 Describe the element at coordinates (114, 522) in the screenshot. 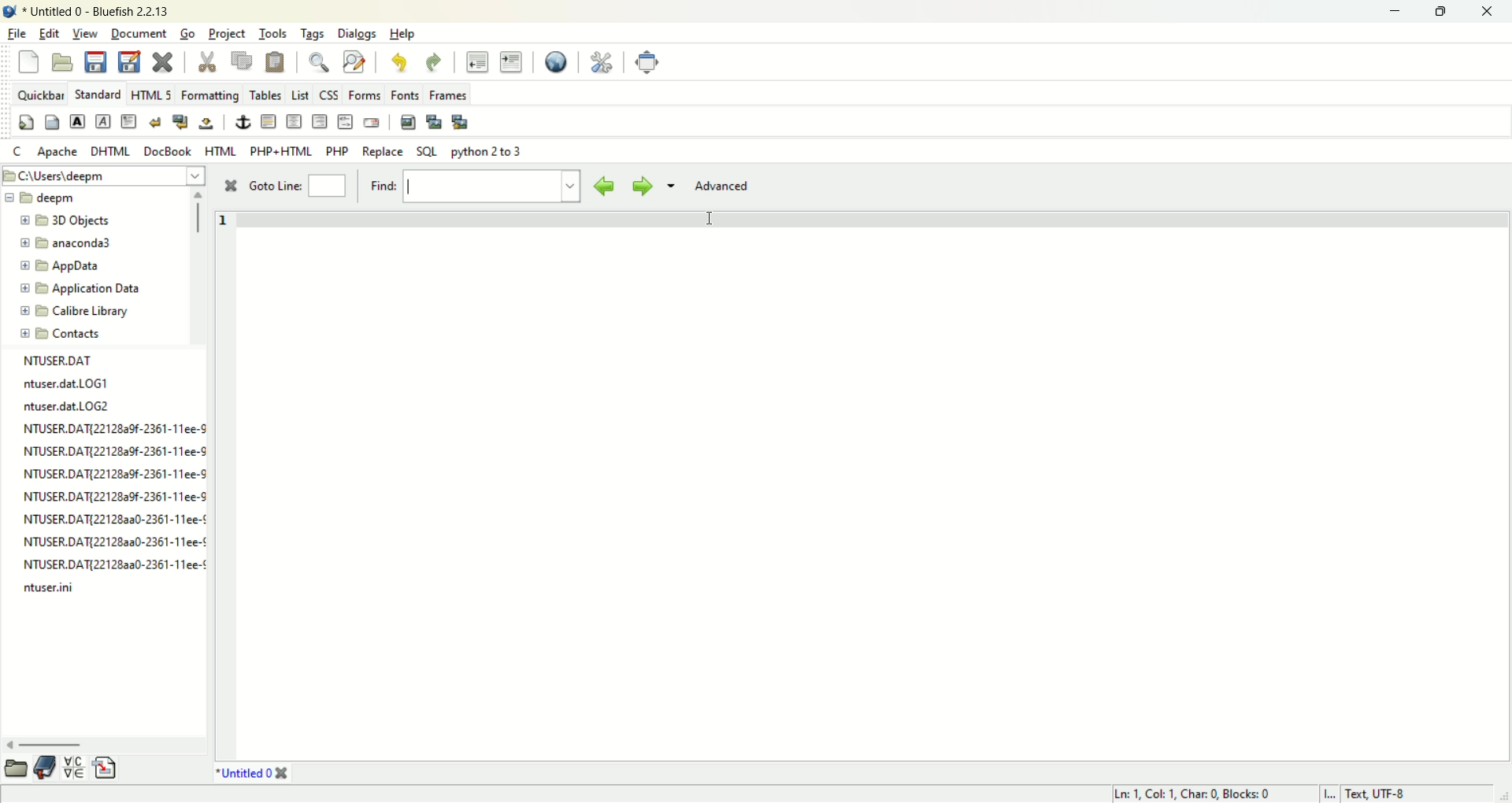

I see `NTUSER.DAT{221282a0-2361-11ee-¢` at that location.